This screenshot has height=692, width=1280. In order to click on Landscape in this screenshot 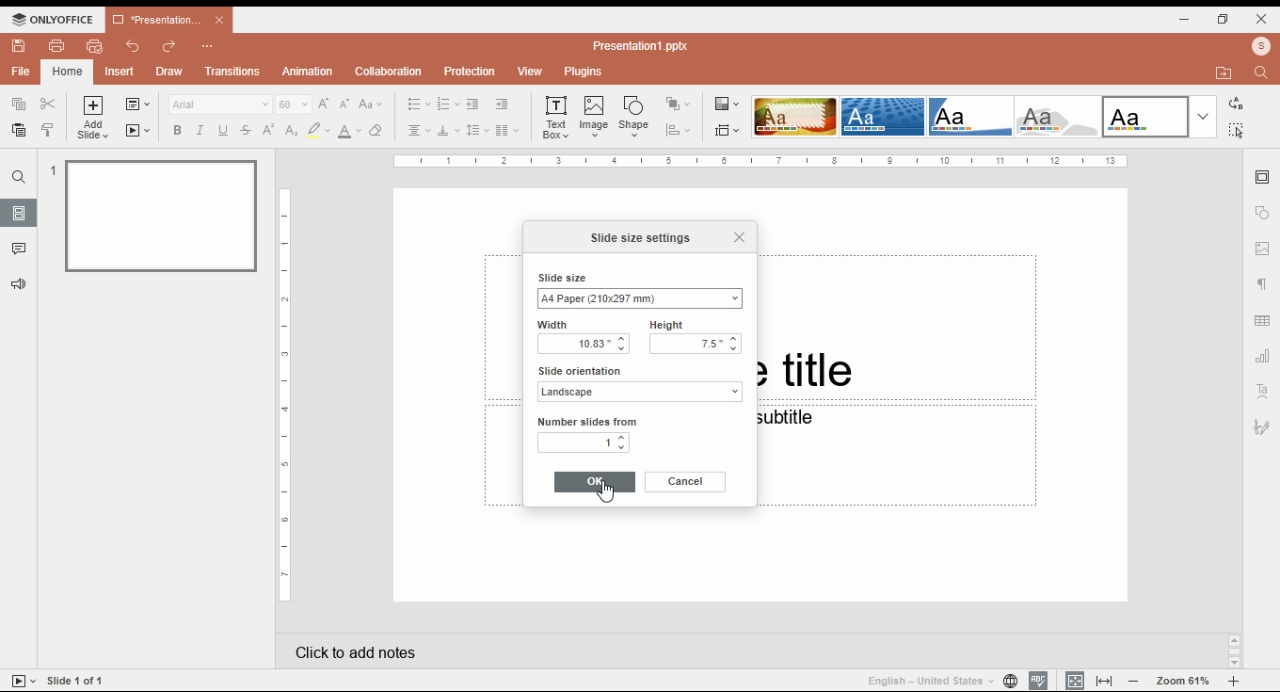, I will do `click(638, 393)`.